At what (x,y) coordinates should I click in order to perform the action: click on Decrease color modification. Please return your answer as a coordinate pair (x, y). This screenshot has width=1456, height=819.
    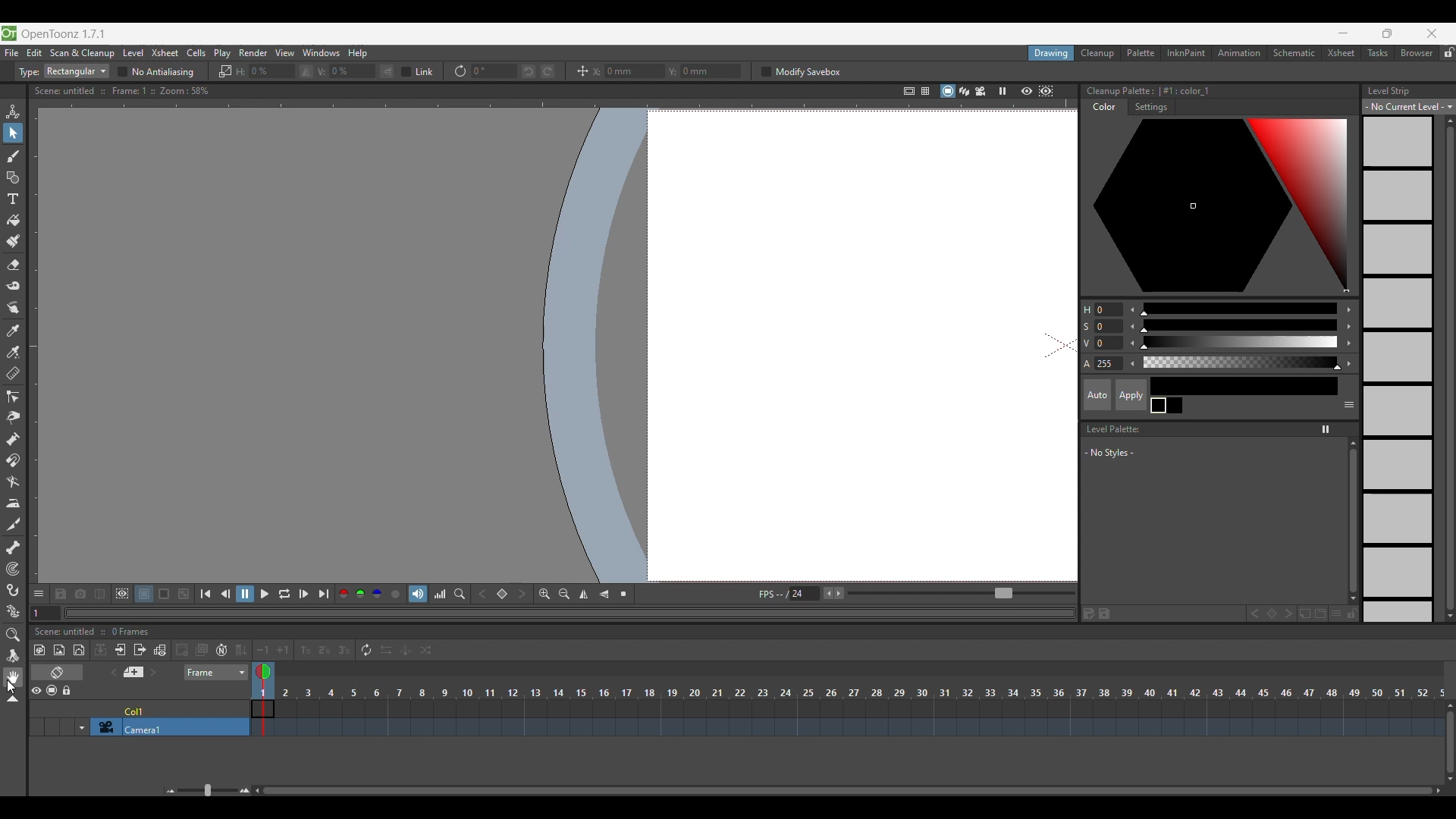
    Looking at the image, I should click on (1131, 336).